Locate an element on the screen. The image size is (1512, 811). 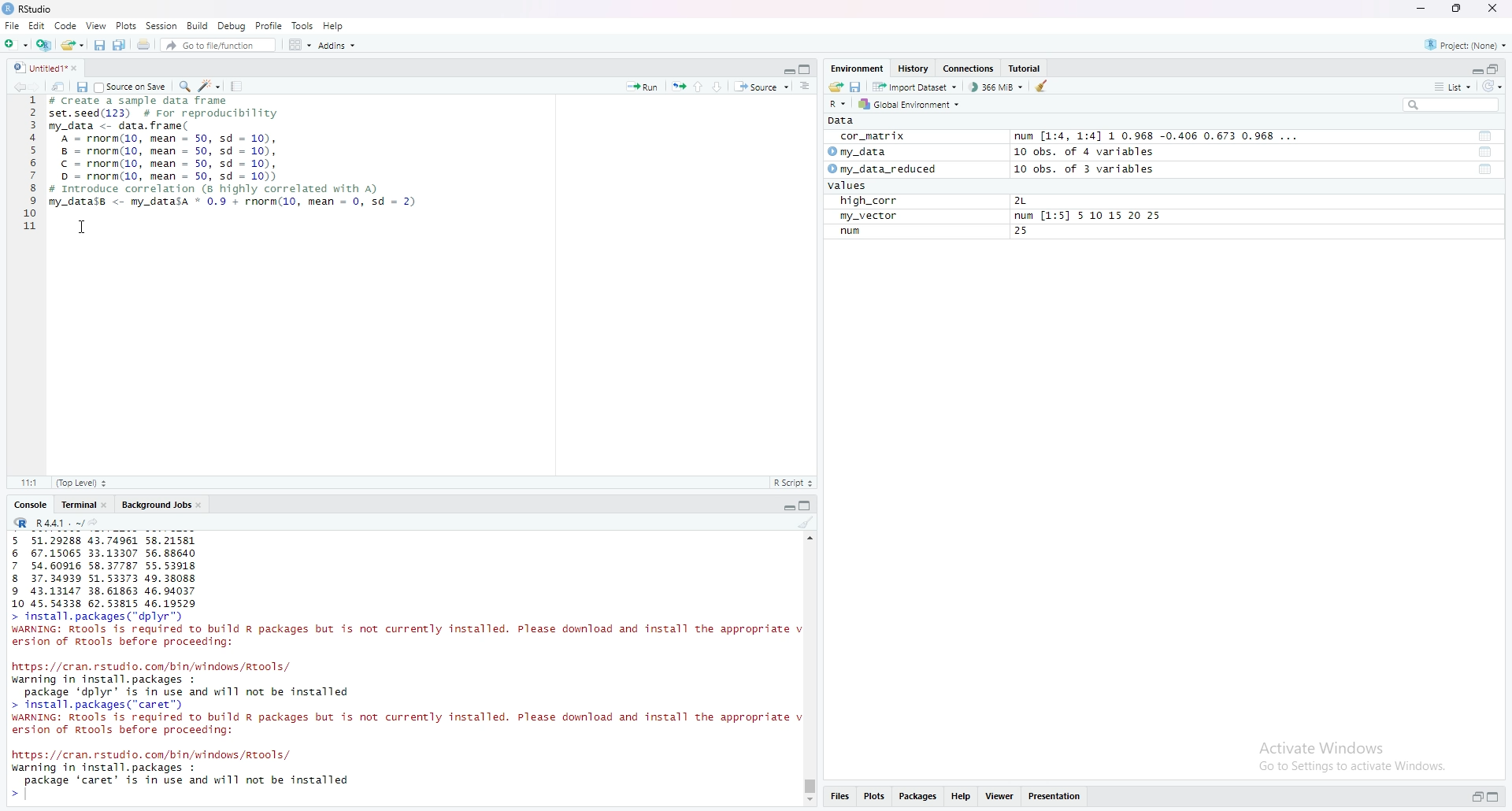
up is located at coordinates (699, 87).